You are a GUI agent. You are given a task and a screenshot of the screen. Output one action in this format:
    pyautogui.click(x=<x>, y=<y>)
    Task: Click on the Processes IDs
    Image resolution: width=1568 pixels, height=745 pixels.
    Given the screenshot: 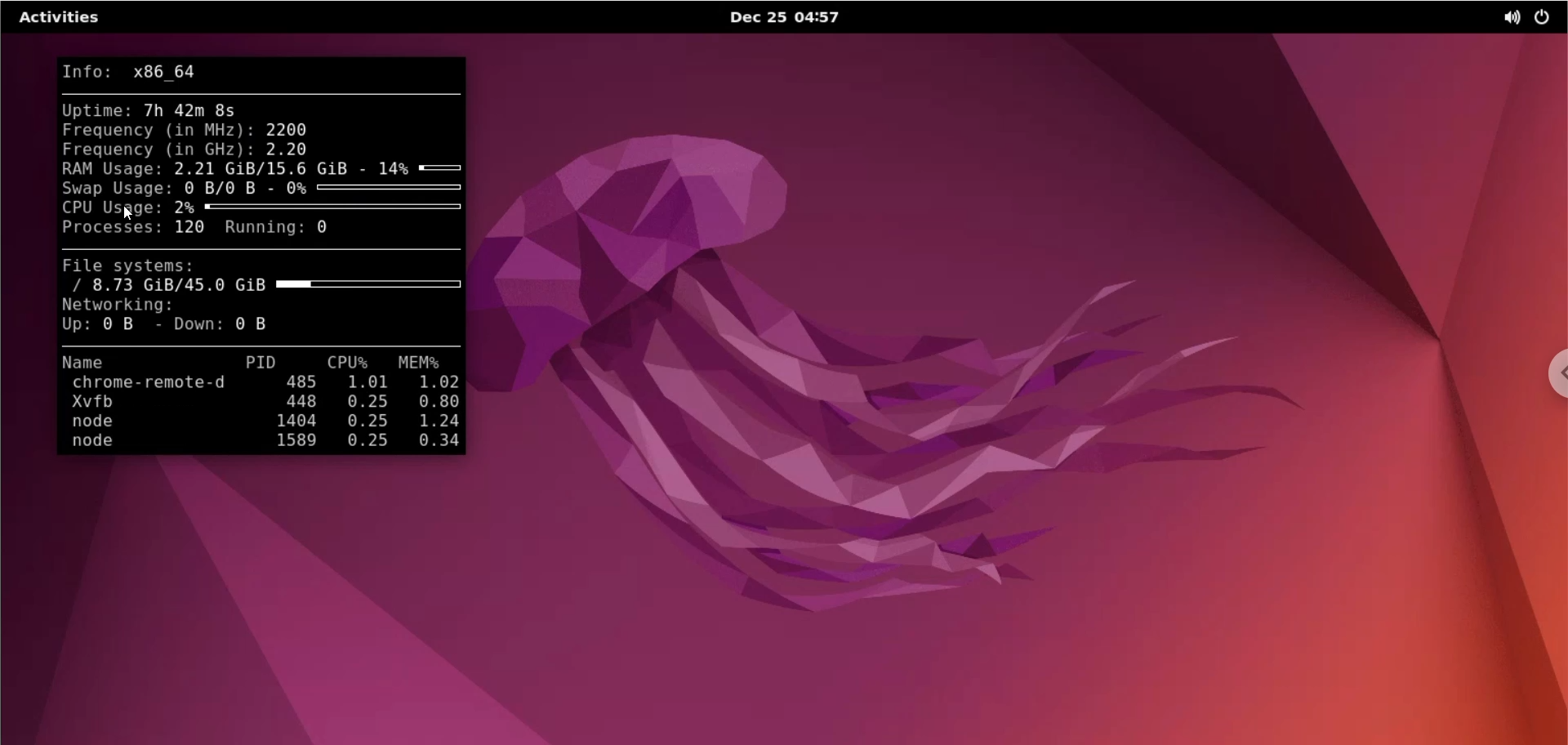 What is the action you would take?
    pyautogui.click(x=302, y=415)
    